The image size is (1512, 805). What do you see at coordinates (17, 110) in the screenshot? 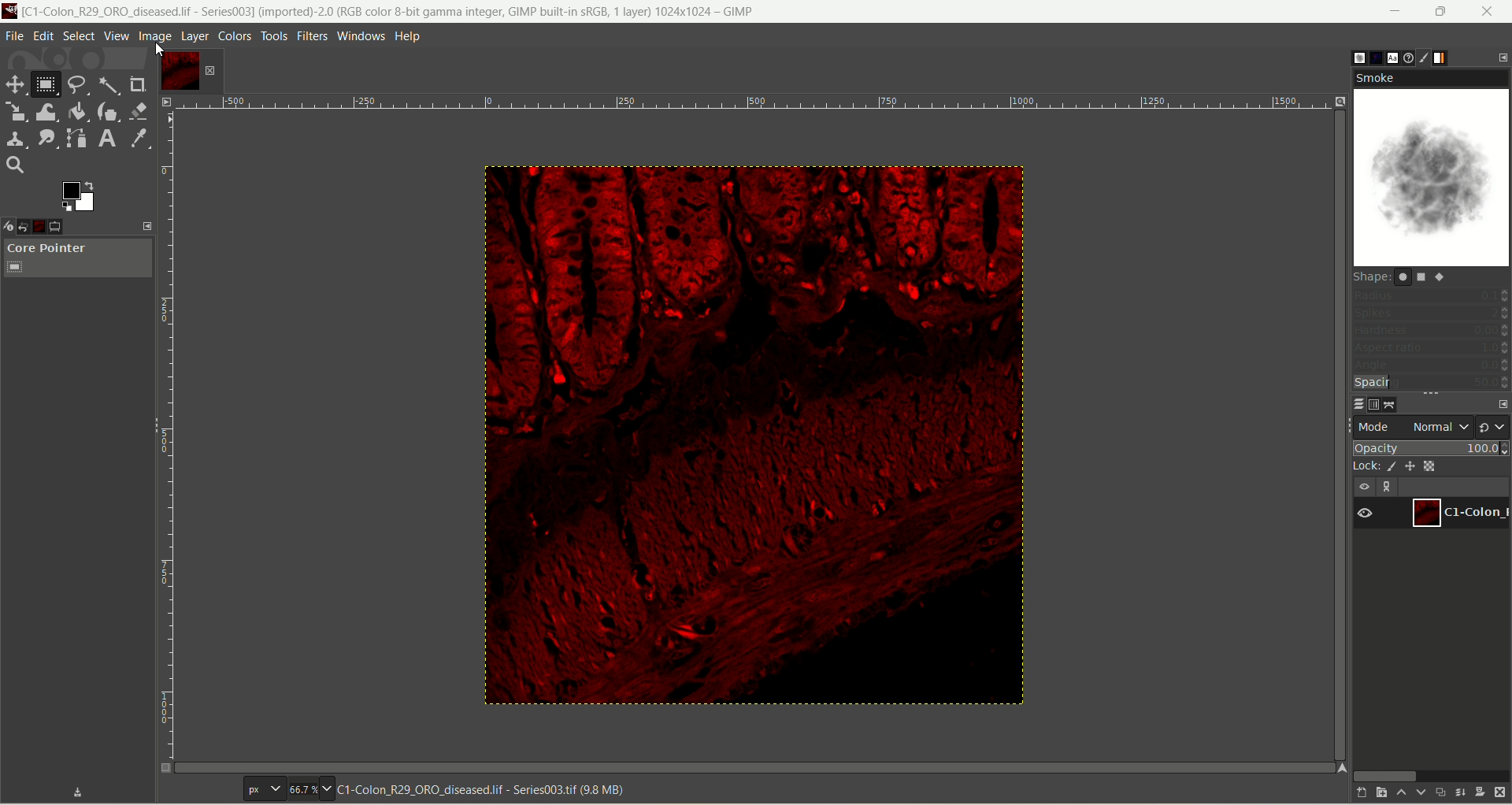
I see `scale` at bounding box center [17, 110].